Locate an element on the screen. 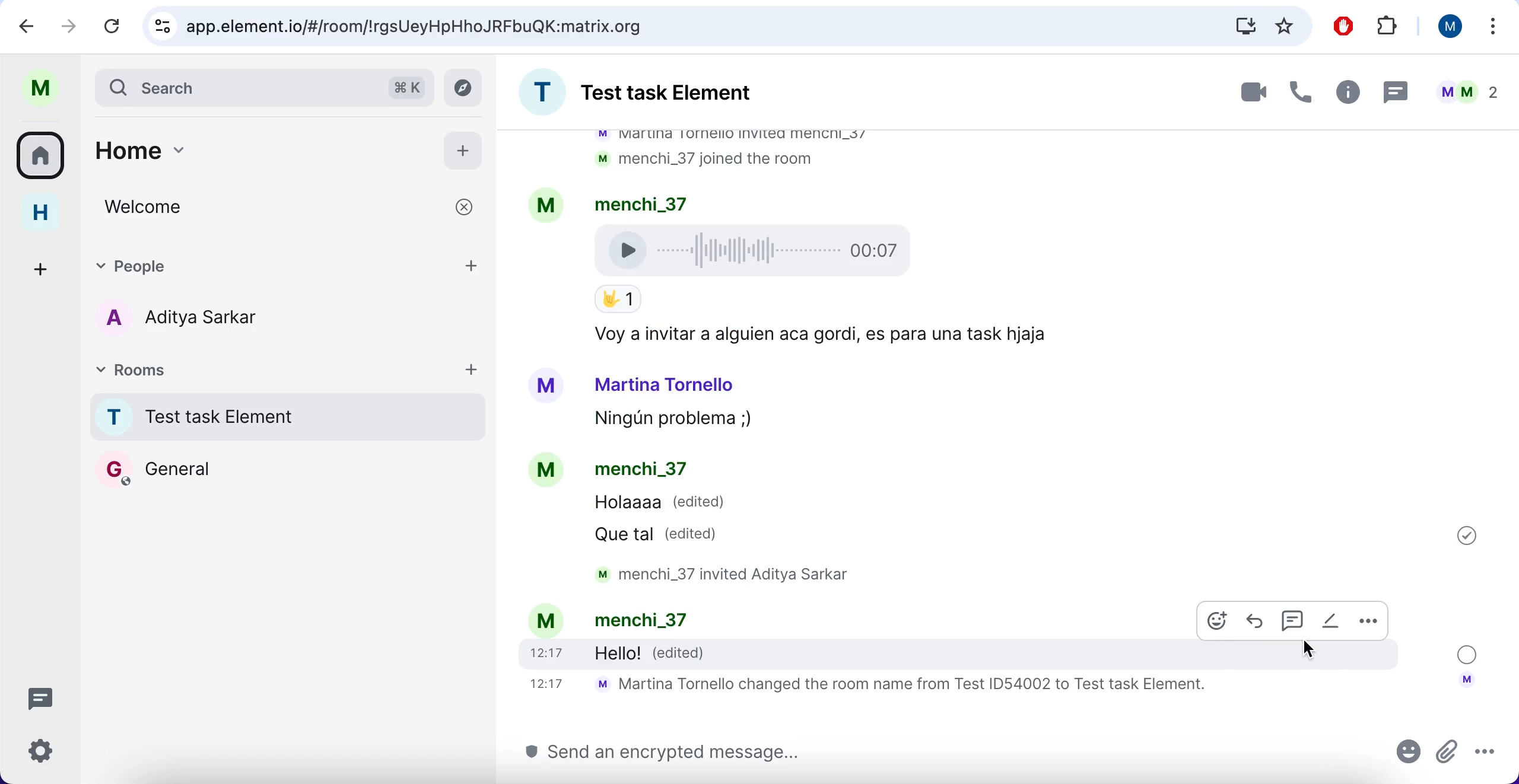  user is located at coordinates (49, 87).